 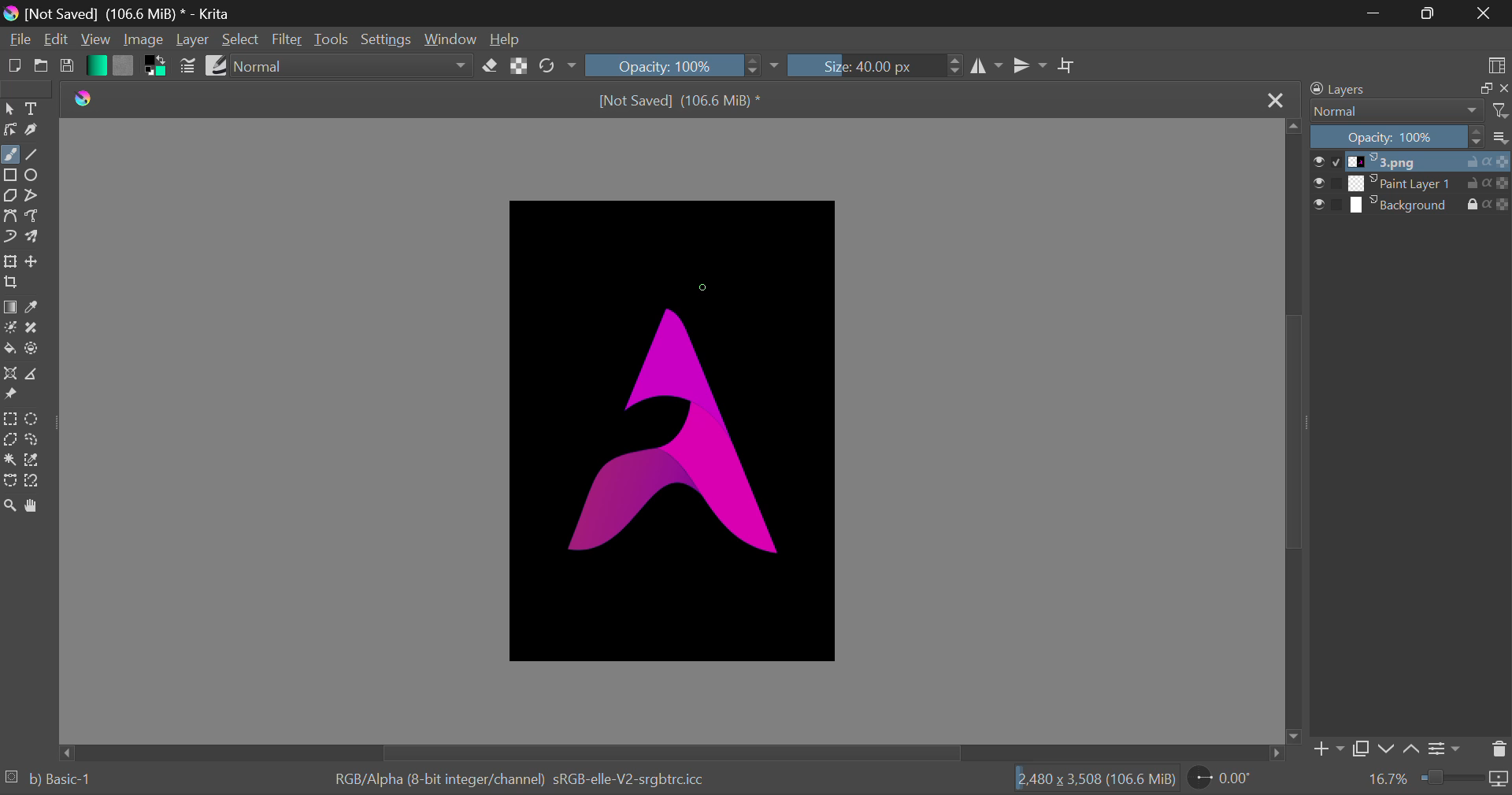 I want to click on Brush Settings, so click(x=188, y=65).